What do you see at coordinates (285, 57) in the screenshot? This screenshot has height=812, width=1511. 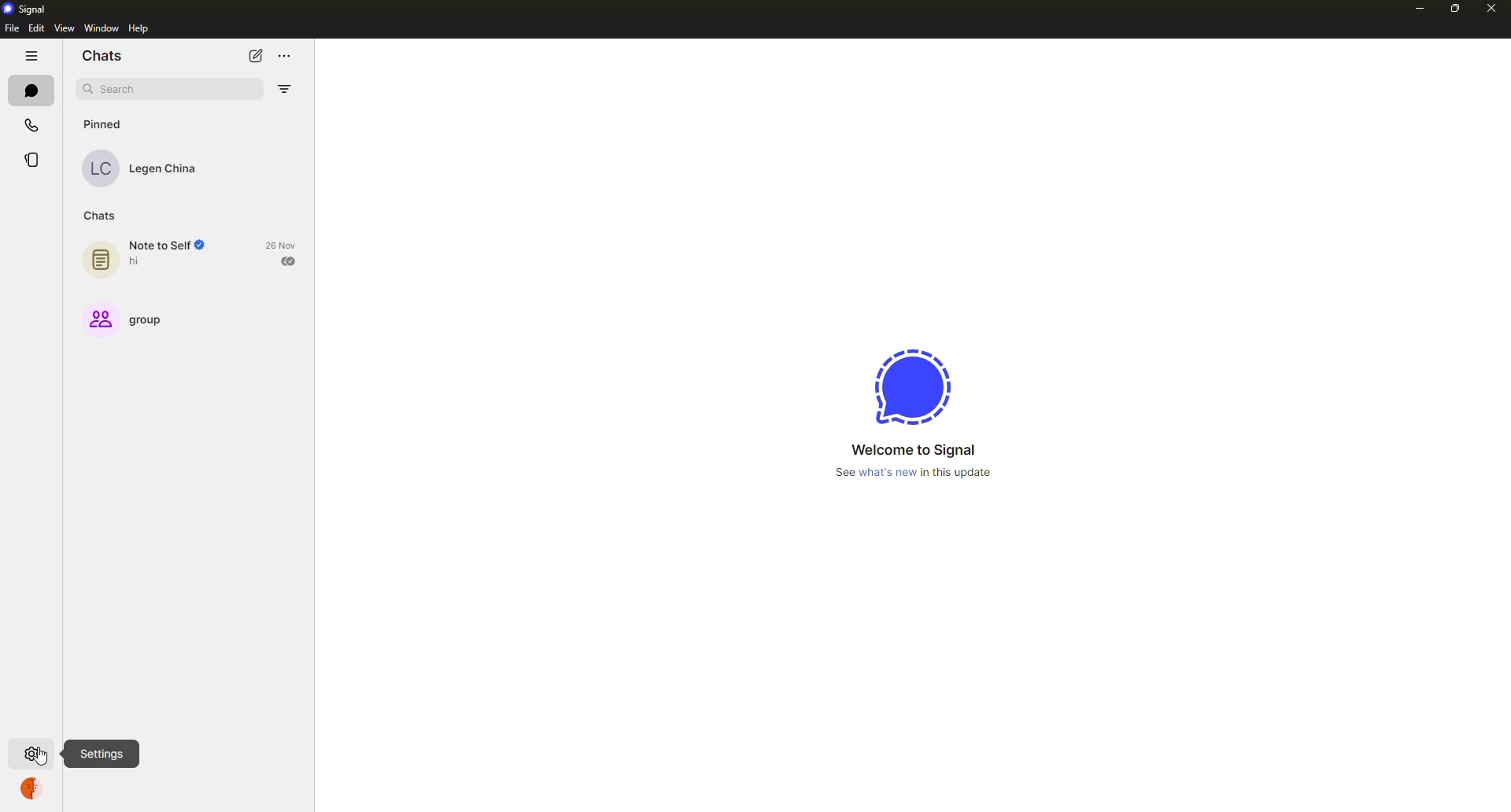 I see `more` at bounding box center [285, 57].